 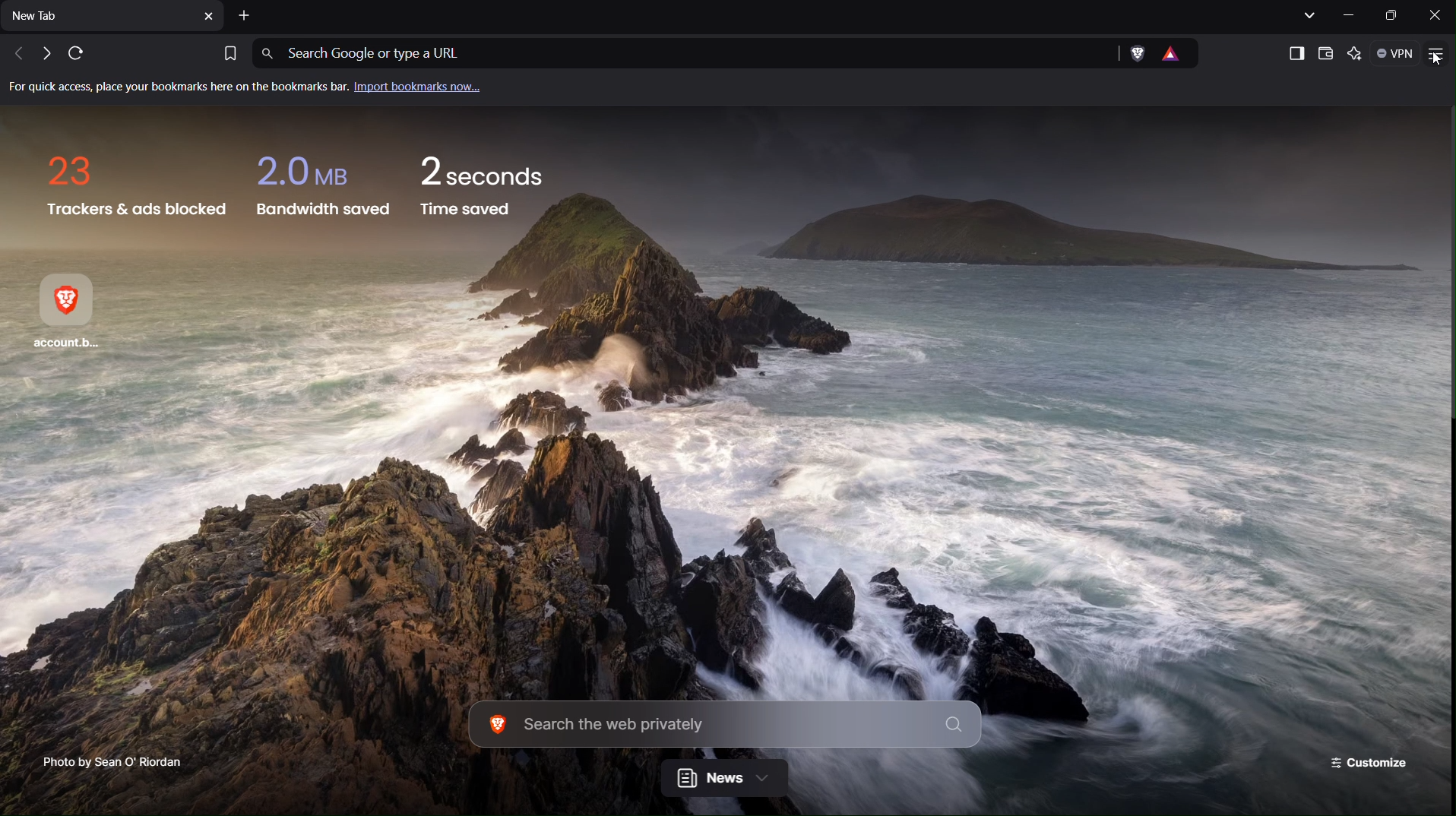 What do you see at coordinates (1326, 53) in the screenshot?
I see `Wallet` at bounding box center [1326, 53].